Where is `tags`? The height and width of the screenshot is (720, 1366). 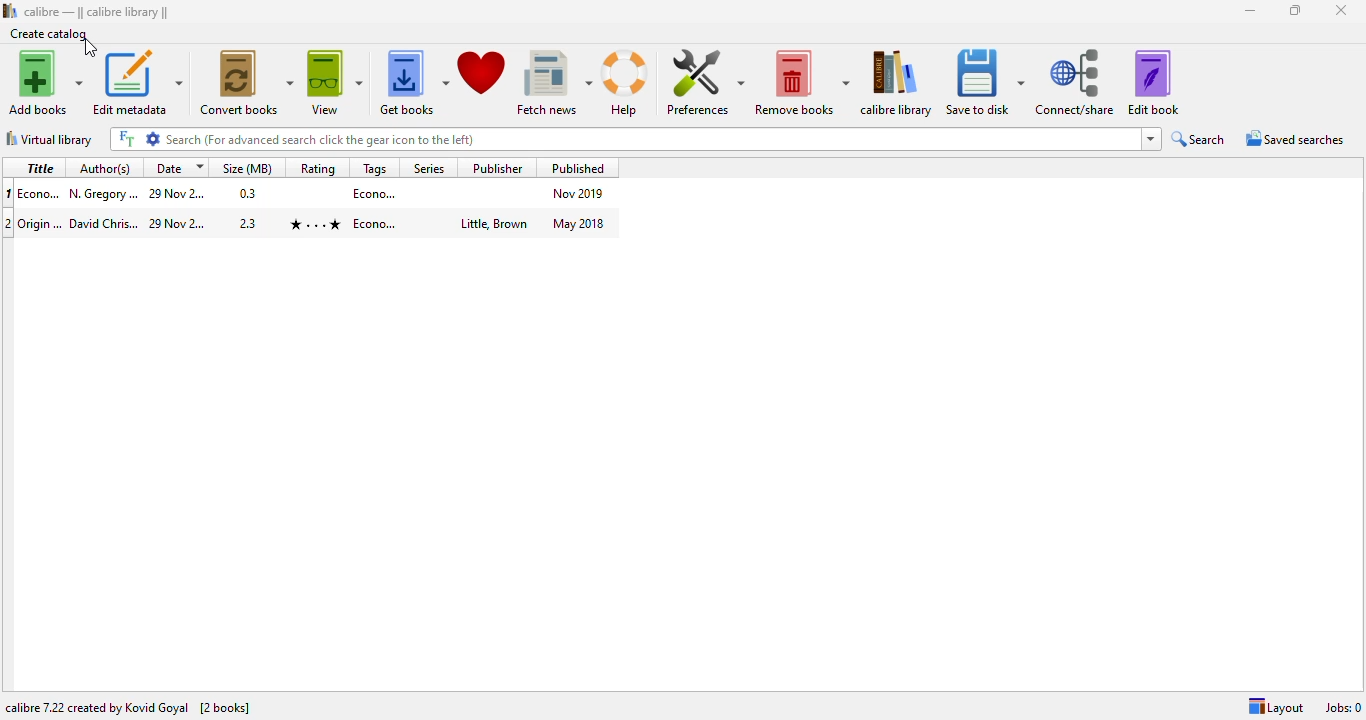 tags is located at coordinates (376, 168).